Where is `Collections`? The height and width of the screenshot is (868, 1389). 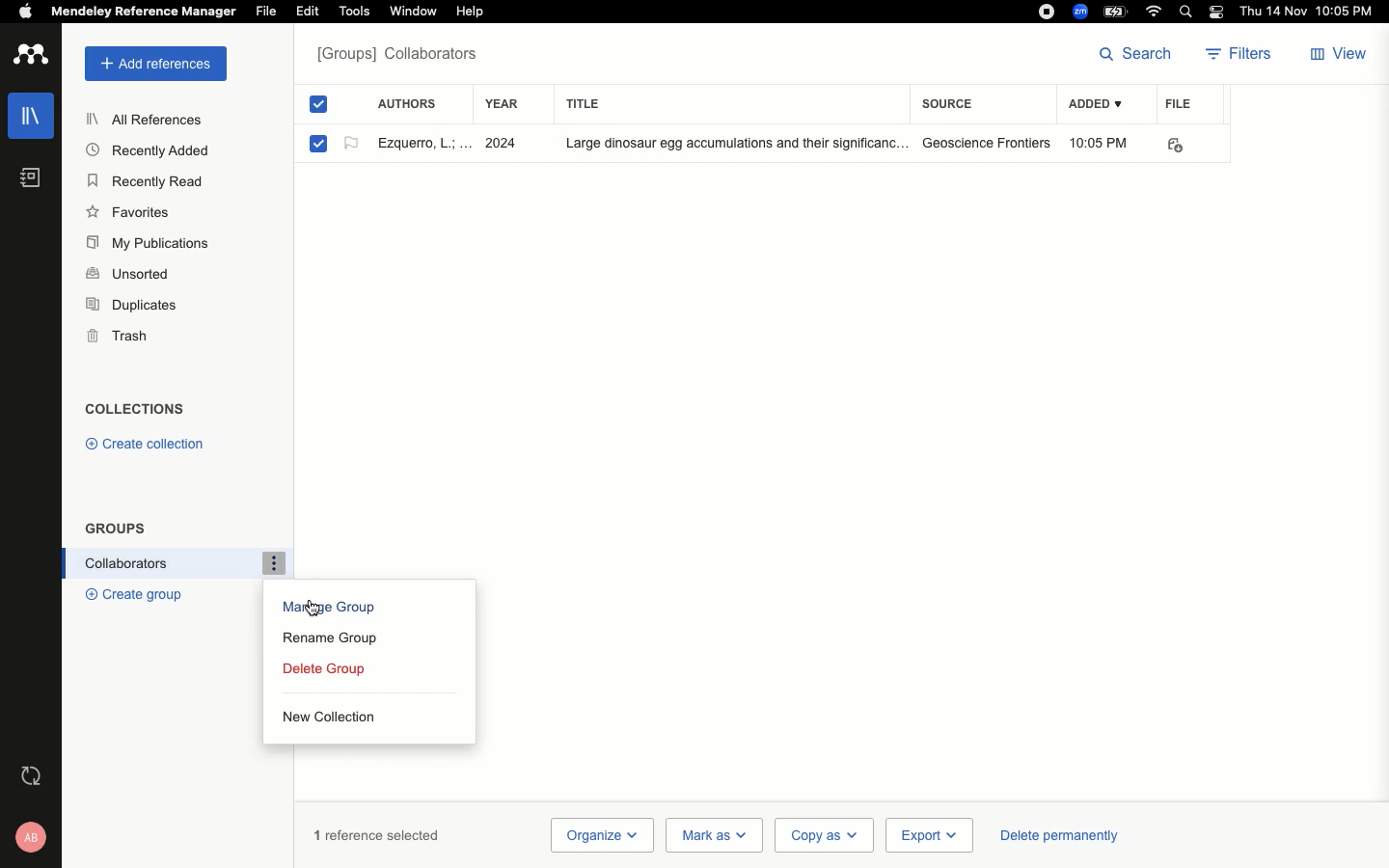 Collections is located at coordinates (141, 411).